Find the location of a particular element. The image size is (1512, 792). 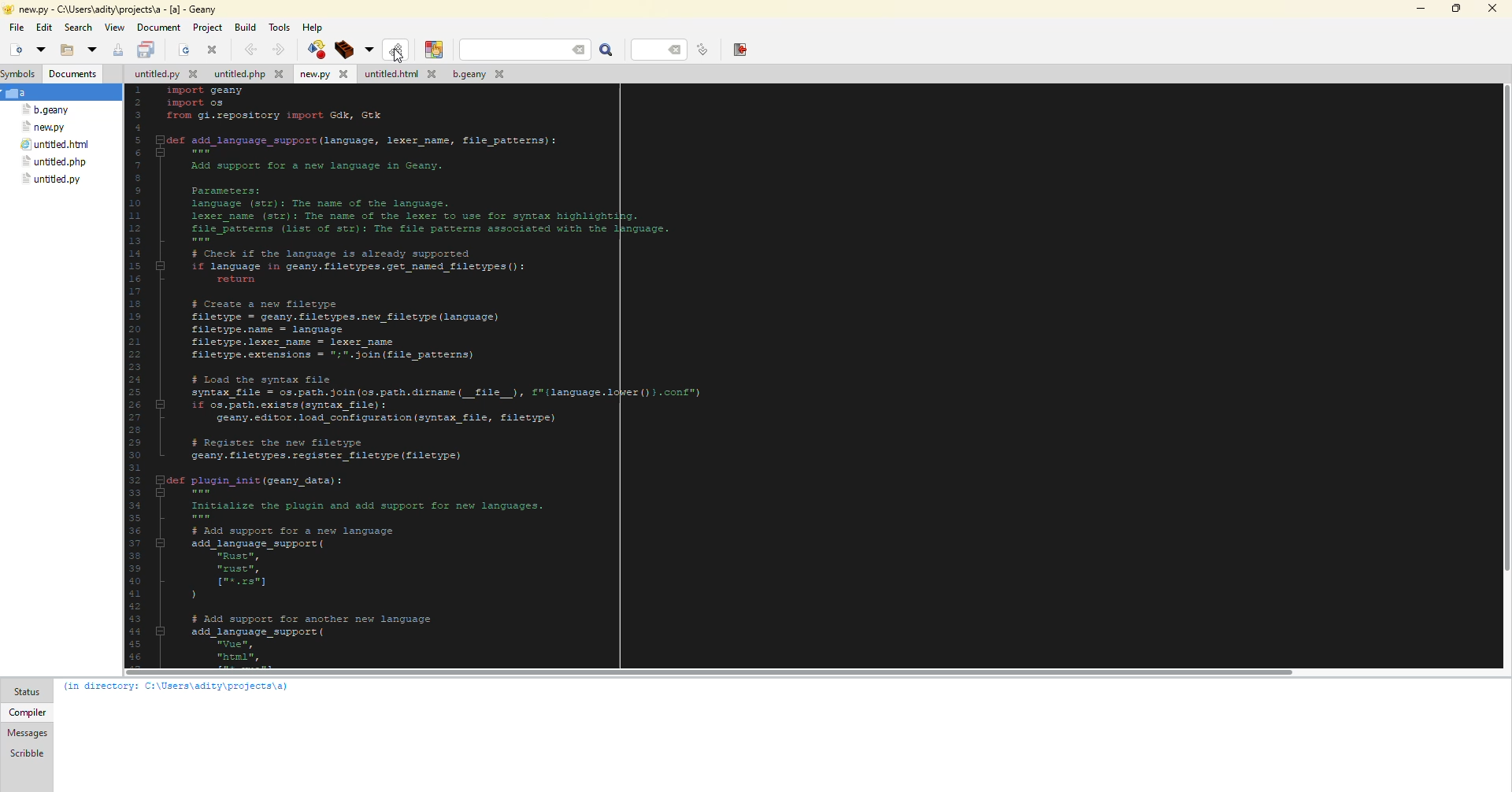

search is located at coordinates (547, 50).